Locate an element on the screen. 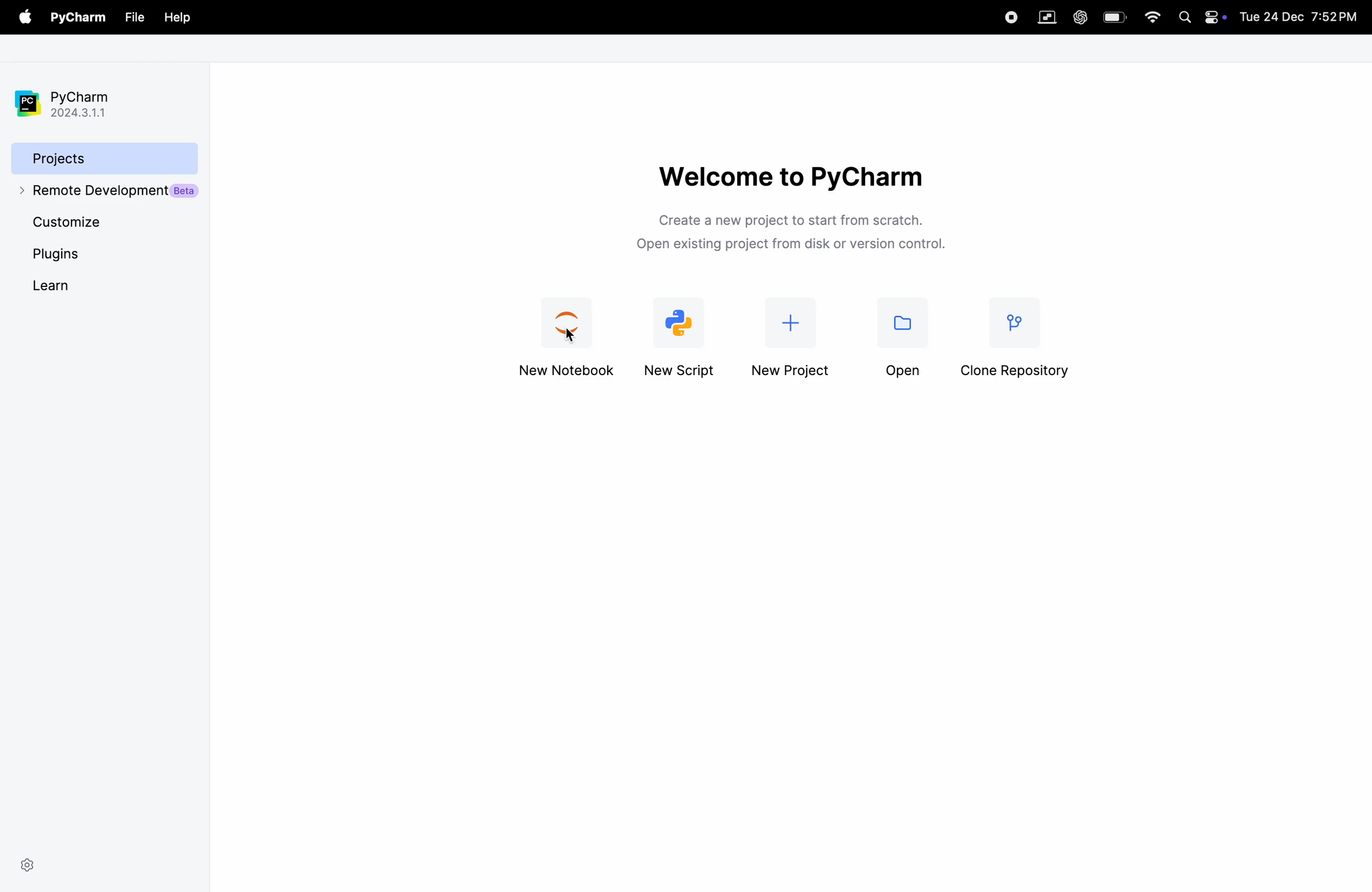 This screenshot has width=1372, height=892. help is located at coordinates (177, 16).